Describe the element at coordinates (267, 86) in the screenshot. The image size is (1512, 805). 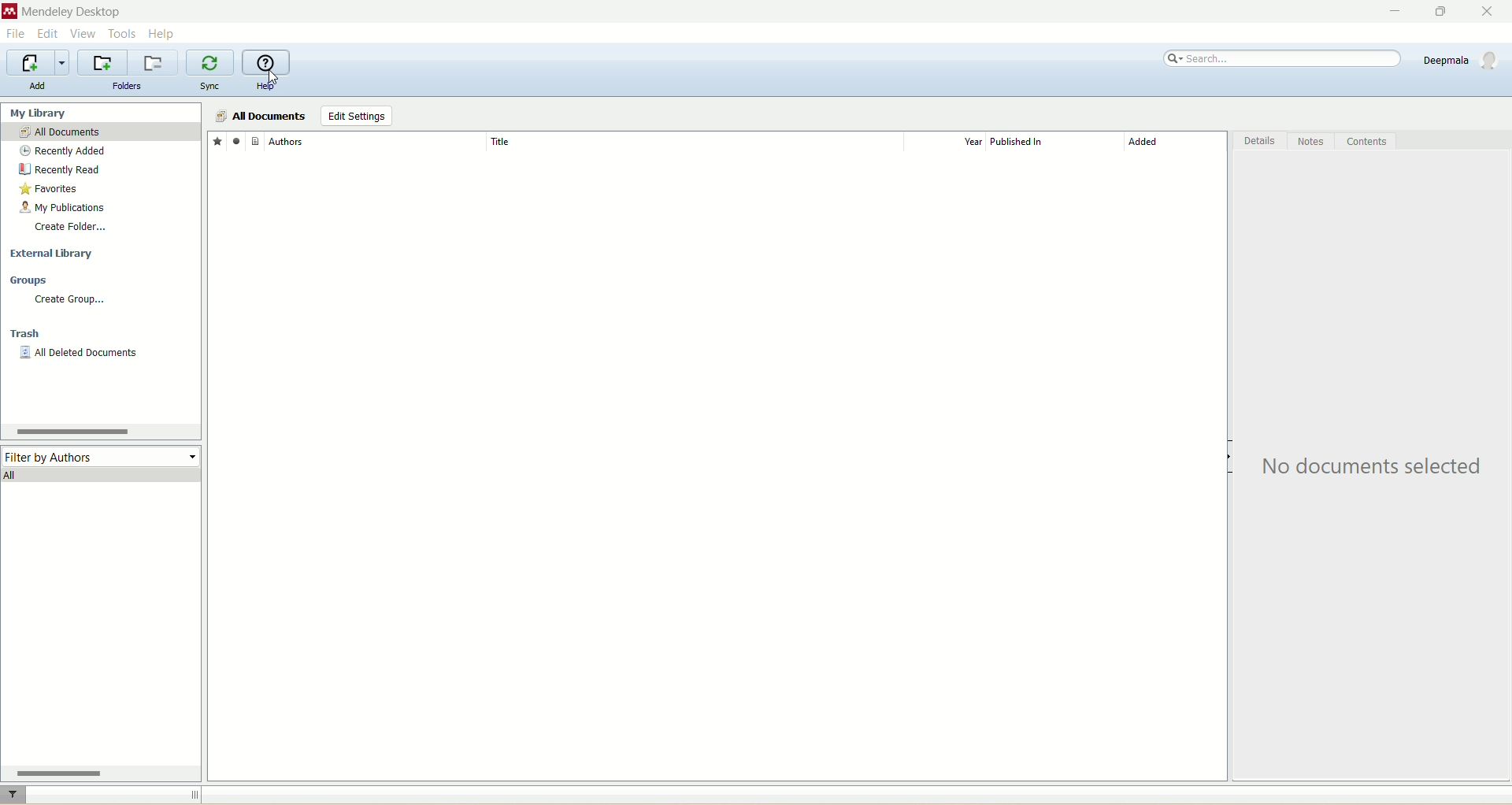
I see `help` at that location.